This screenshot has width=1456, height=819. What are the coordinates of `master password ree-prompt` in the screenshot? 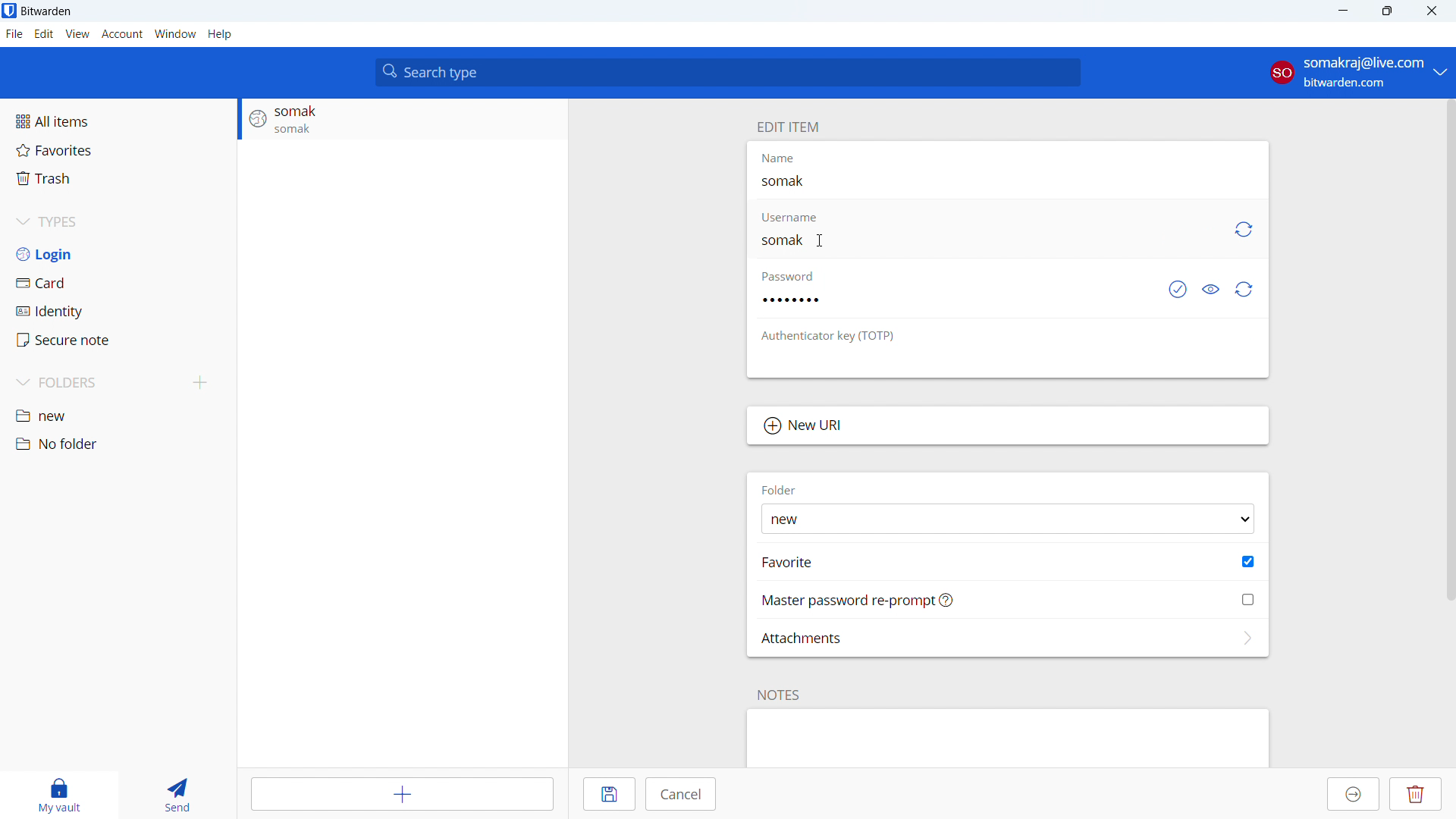 It's located at (1009, 600).